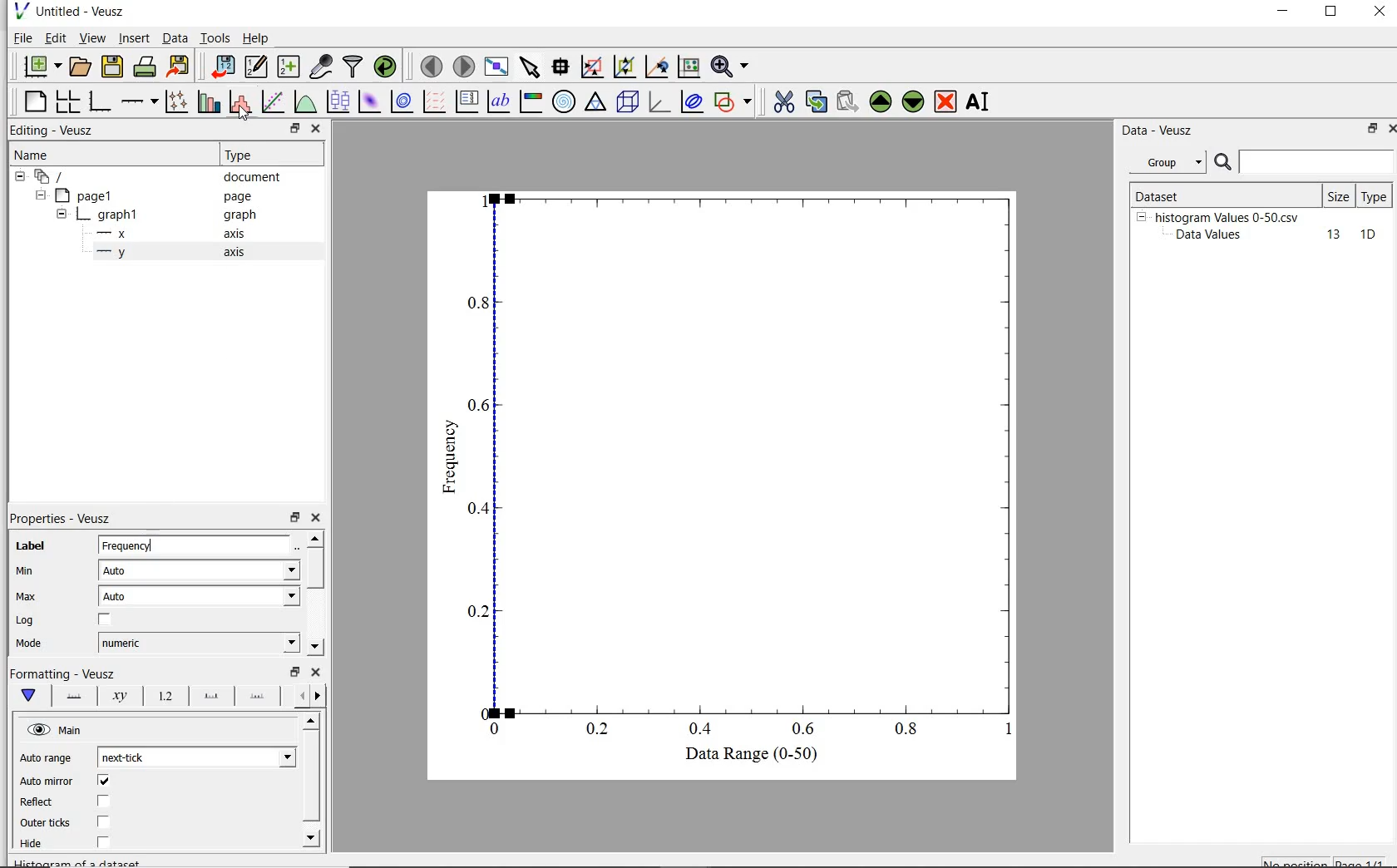 The width and height of the screenshot is (1397, 868). What do you see at coordinates (256, 66) in the screenshot?
I see `edit and create new datasets` at bounding box center [256, 66].